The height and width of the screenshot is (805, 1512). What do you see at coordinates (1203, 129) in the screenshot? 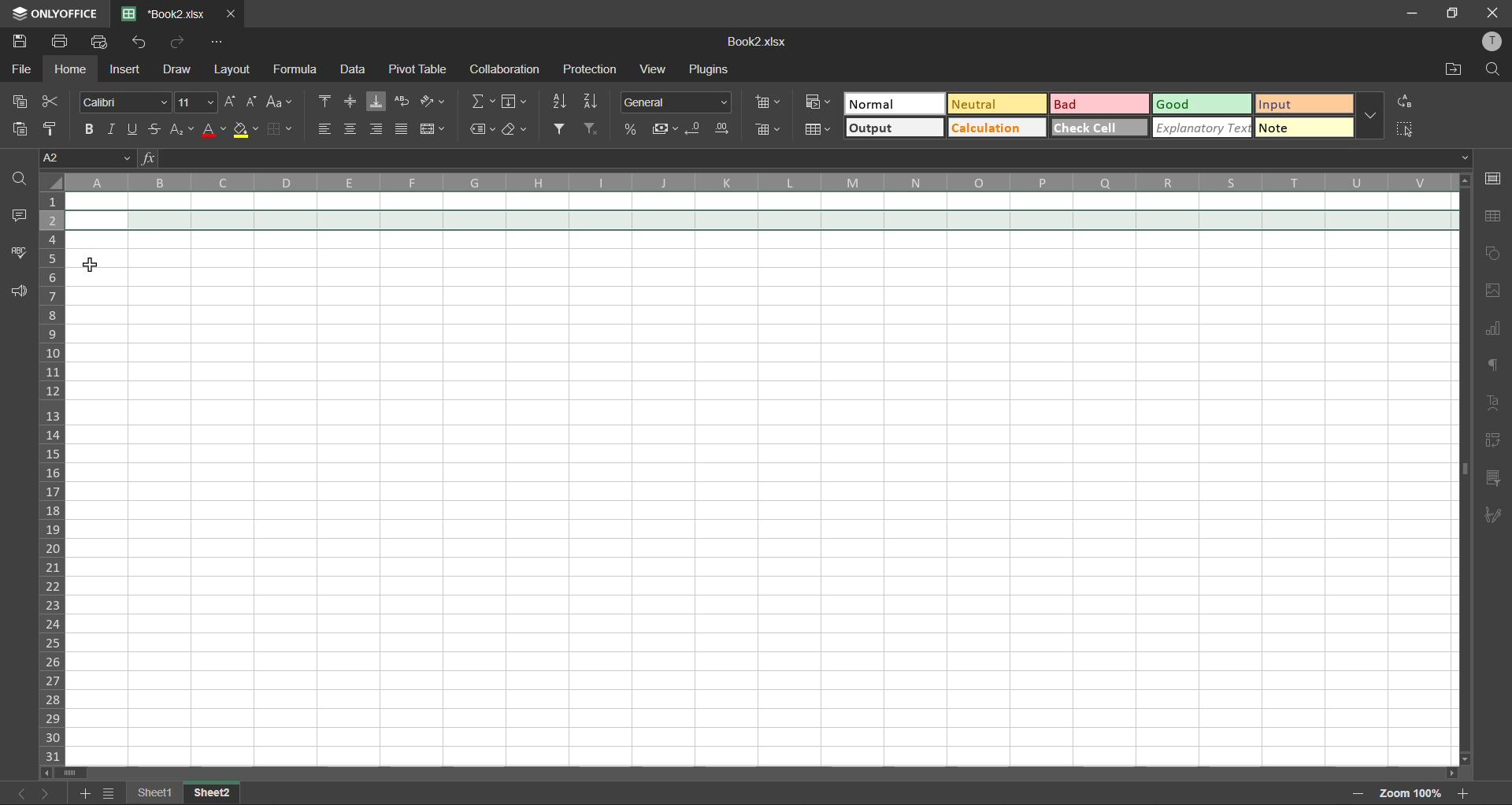
I see `explanatory text` at bounding box center [1203, 129].